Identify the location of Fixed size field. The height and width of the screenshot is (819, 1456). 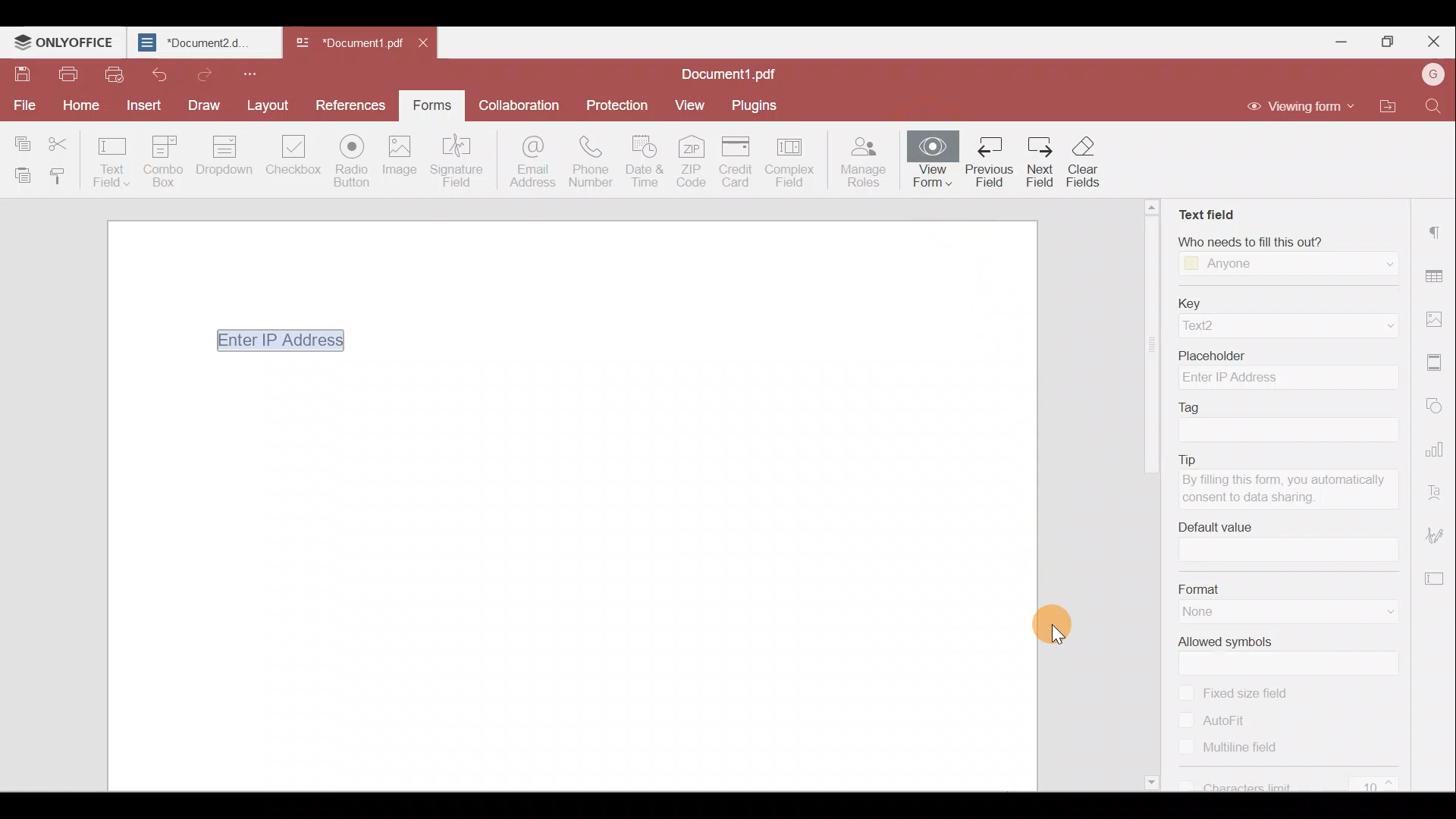
(1261, 694).